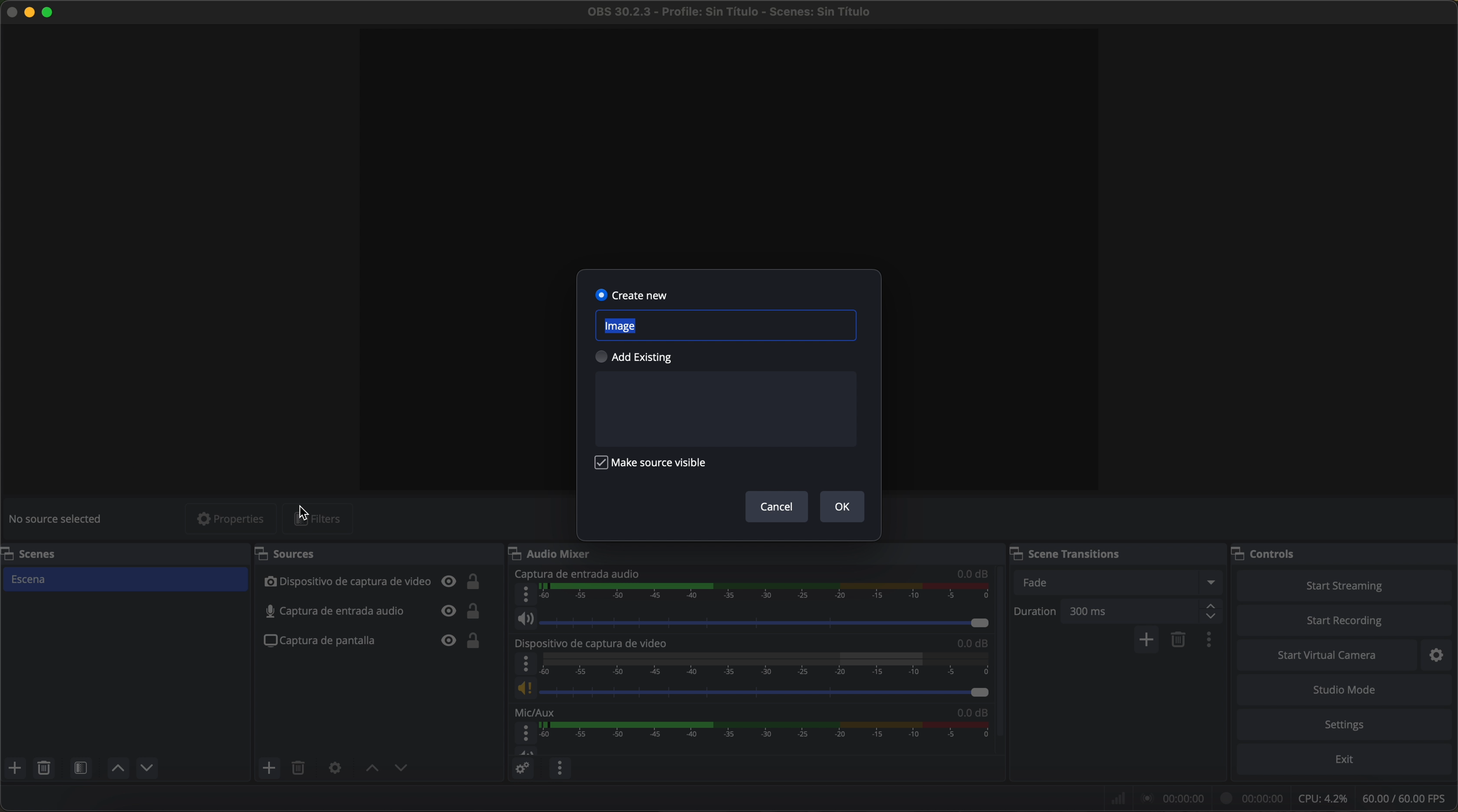 The image size is (1458, 812). I want to click on remove configurable transition, so click(1180, 641).